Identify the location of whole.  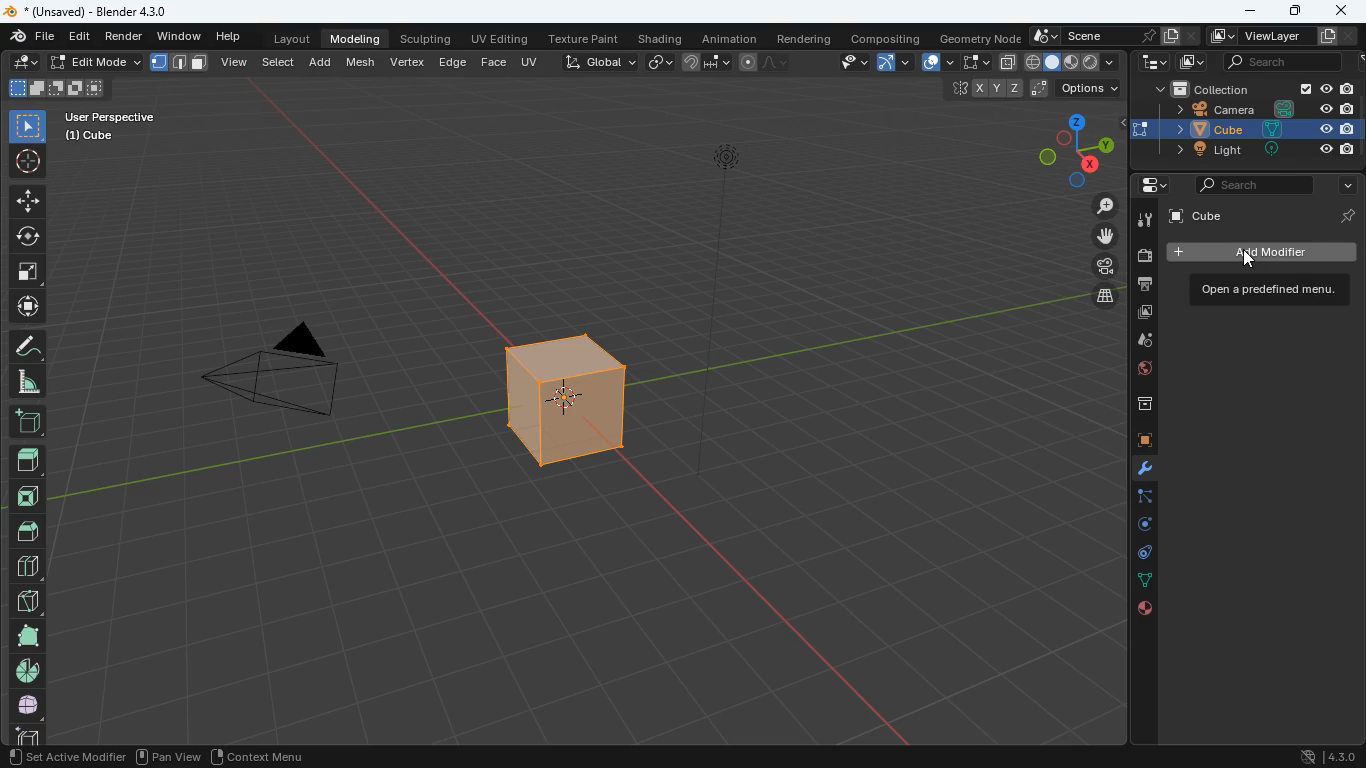
(28, 708).